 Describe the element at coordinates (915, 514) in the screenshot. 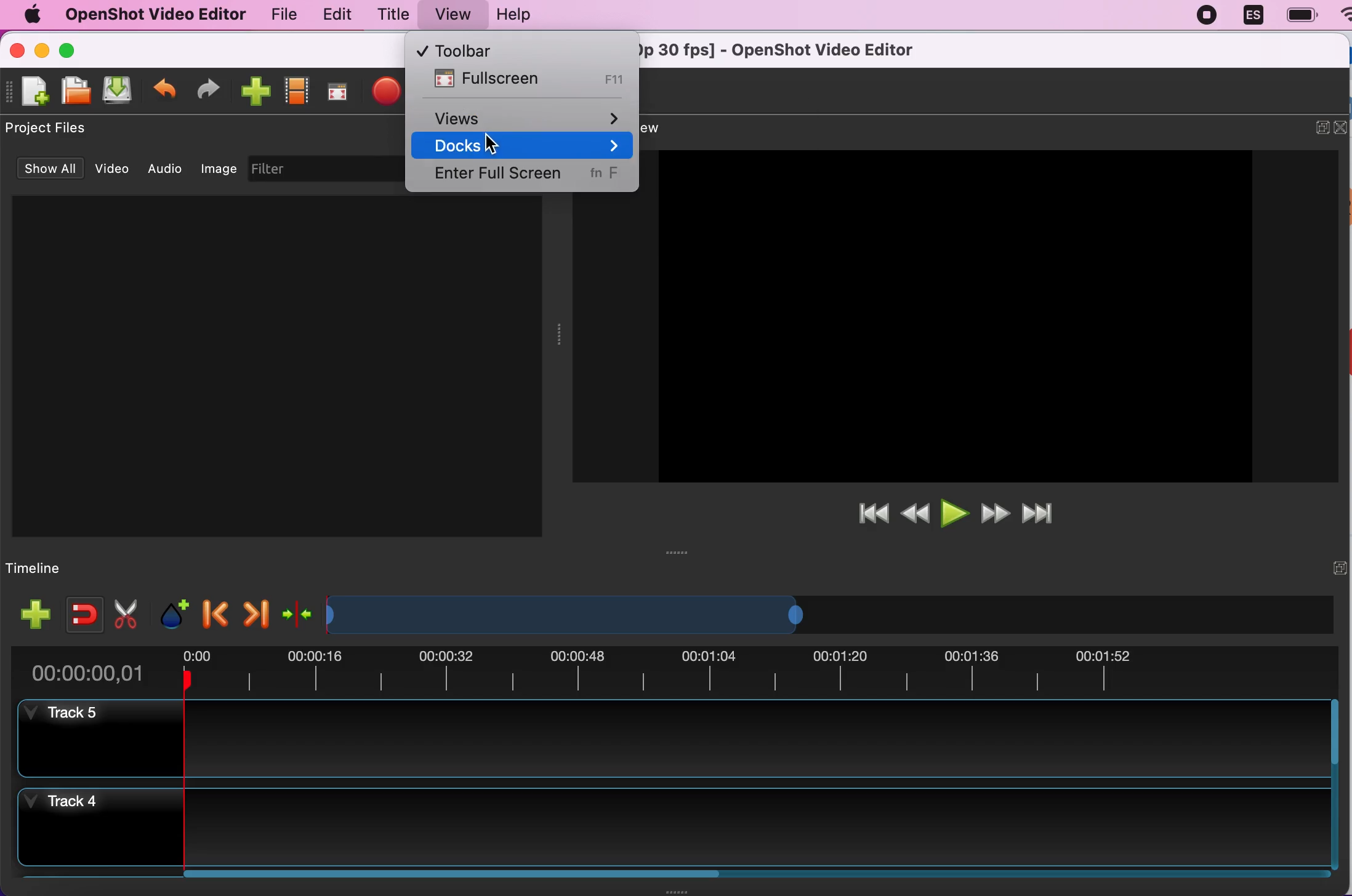

I see `rewind` at that location.